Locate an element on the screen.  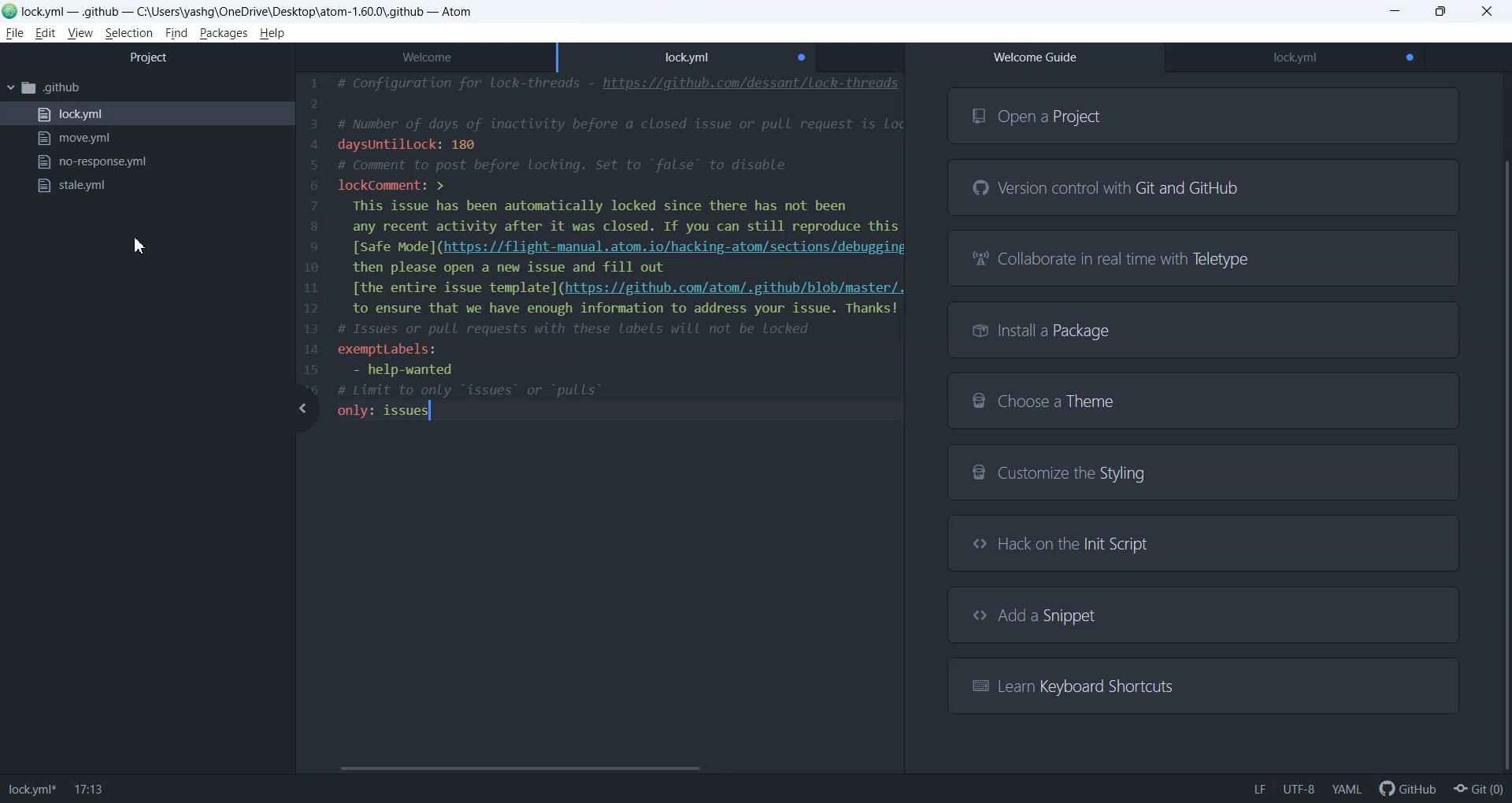
17 line, 13 column is located at coordinates (90, 790).